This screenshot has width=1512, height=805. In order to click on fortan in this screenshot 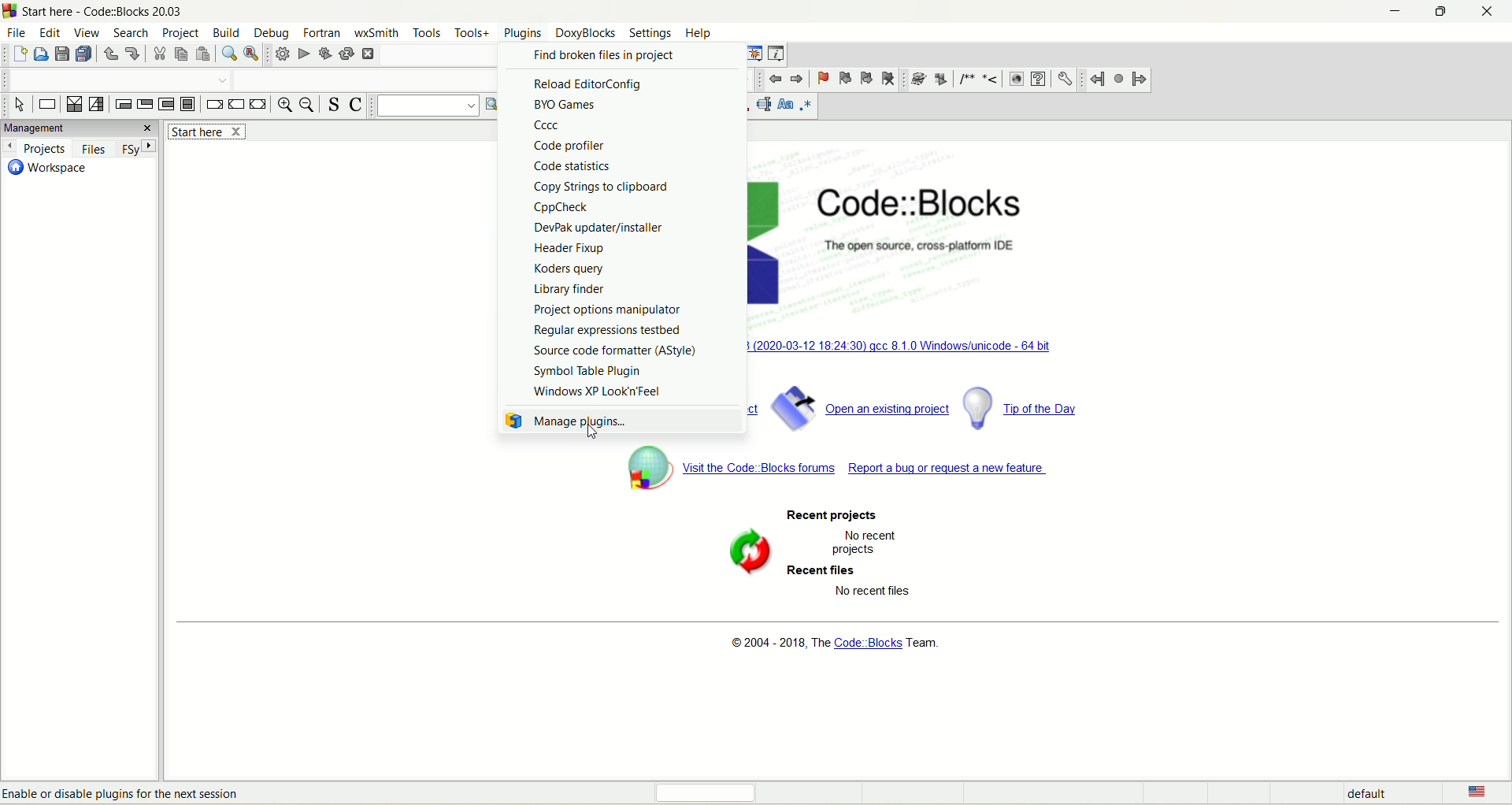, I will do `click(322, 31)`.